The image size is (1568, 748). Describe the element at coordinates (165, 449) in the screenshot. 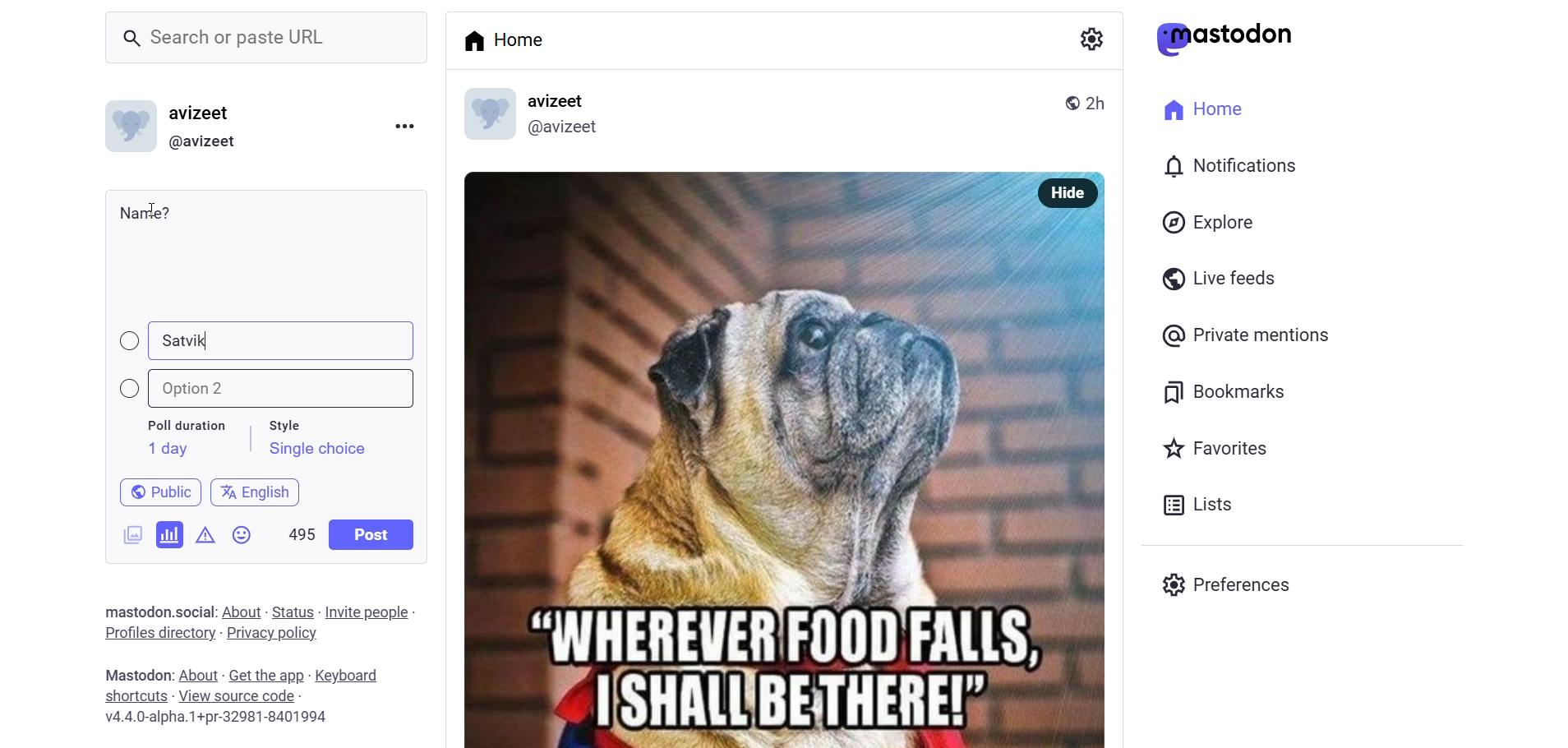

I see `1 day` at that location.